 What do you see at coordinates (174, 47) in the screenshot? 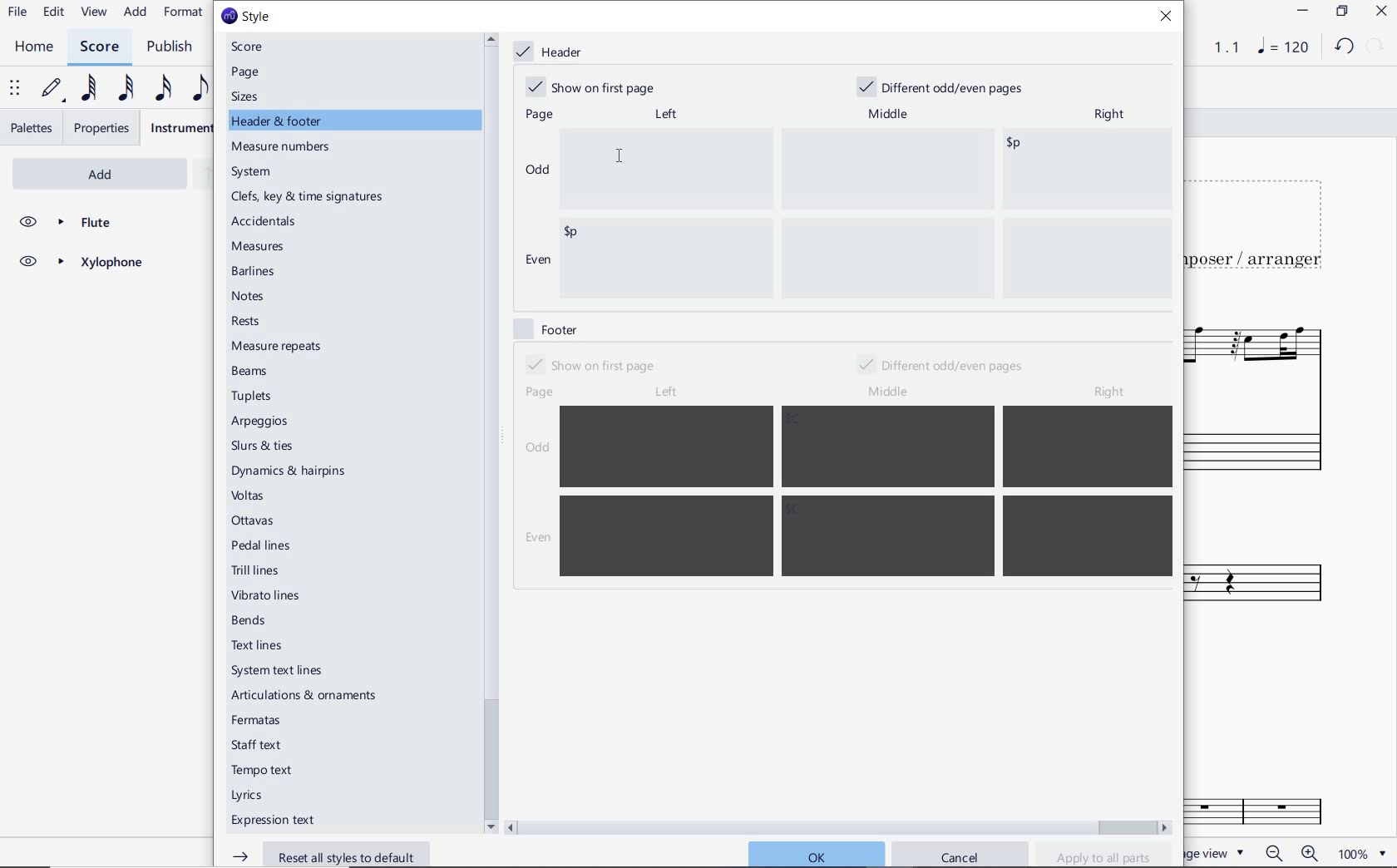
I see `PUBLISH` at bounding box center [174, 47].